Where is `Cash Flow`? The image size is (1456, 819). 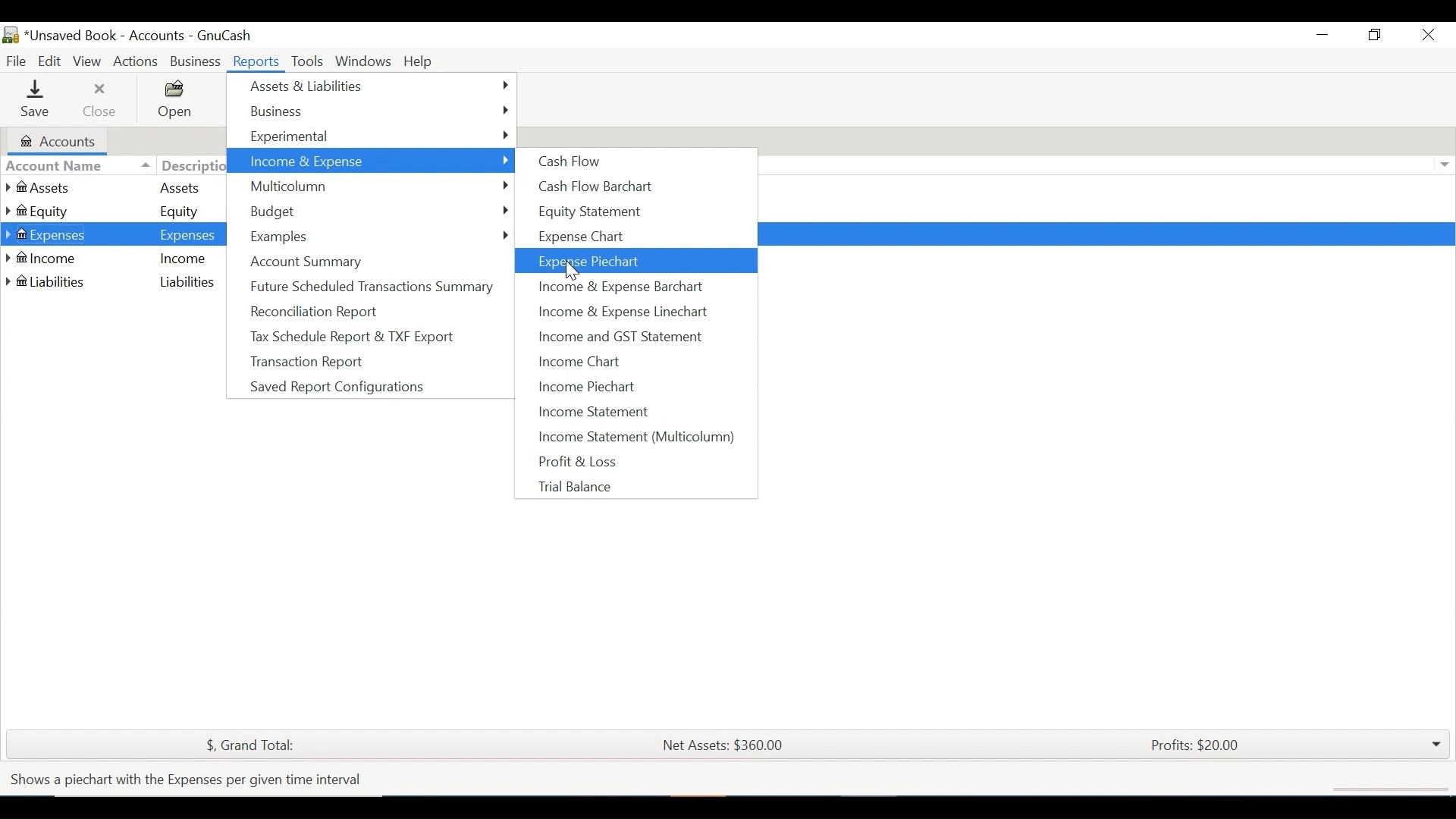 Cash Flow is located at coordinates (565, 161).